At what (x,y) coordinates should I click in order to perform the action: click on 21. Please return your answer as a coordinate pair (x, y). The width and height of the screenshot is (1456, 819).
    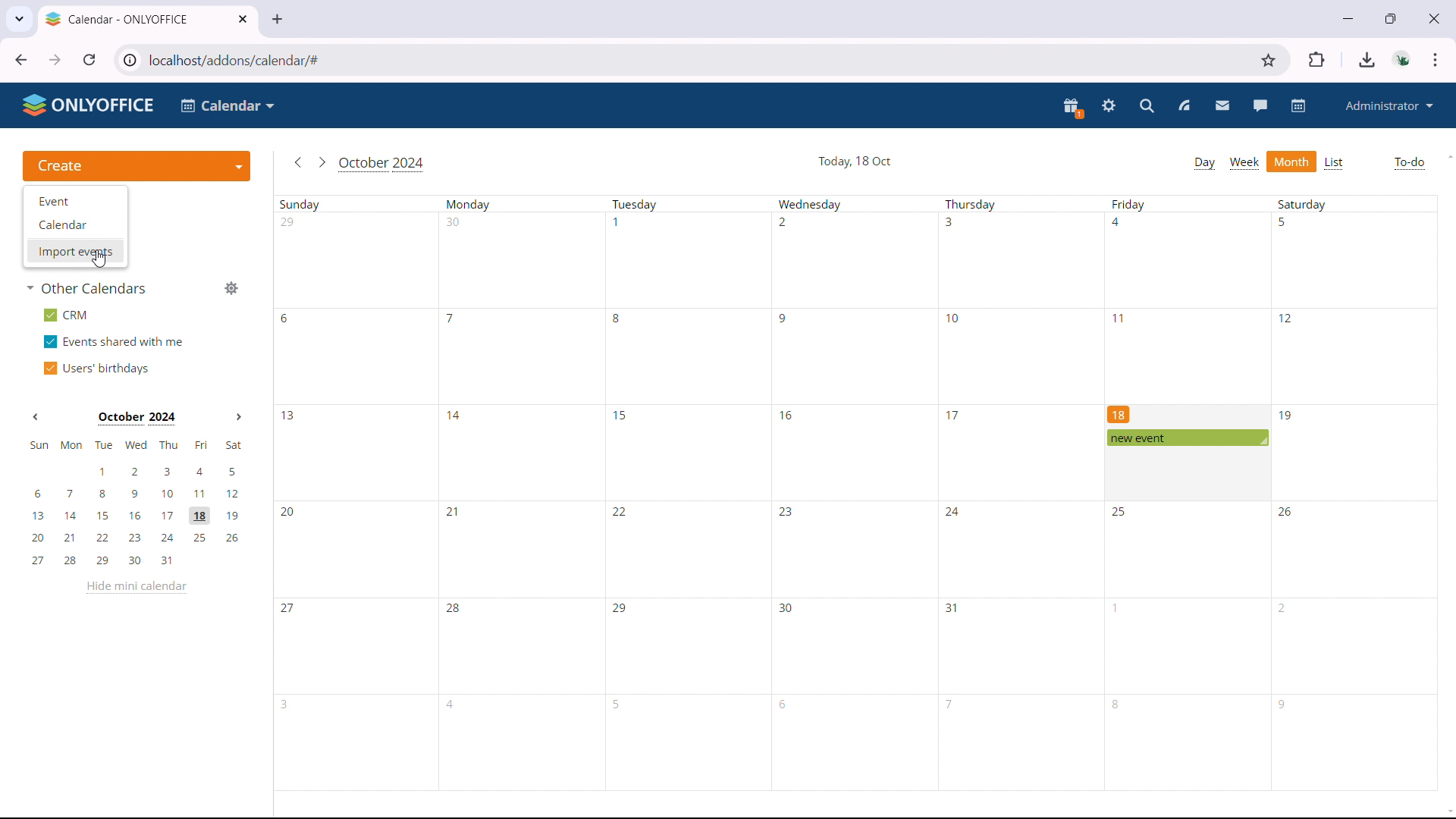
    Looking at the image, I should click on (450, 510).